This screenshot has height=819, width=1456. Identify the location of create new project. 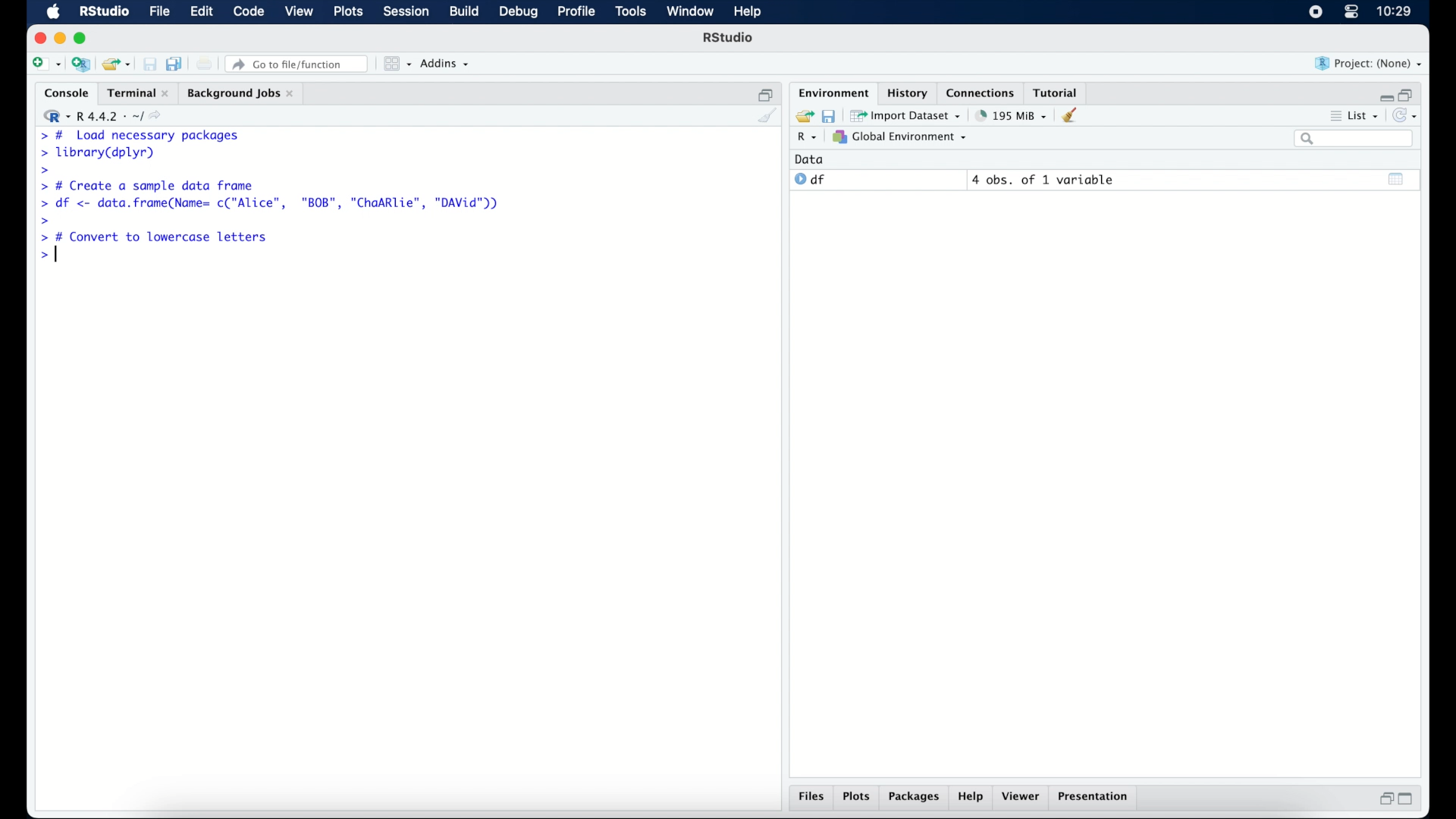
(81, 65).